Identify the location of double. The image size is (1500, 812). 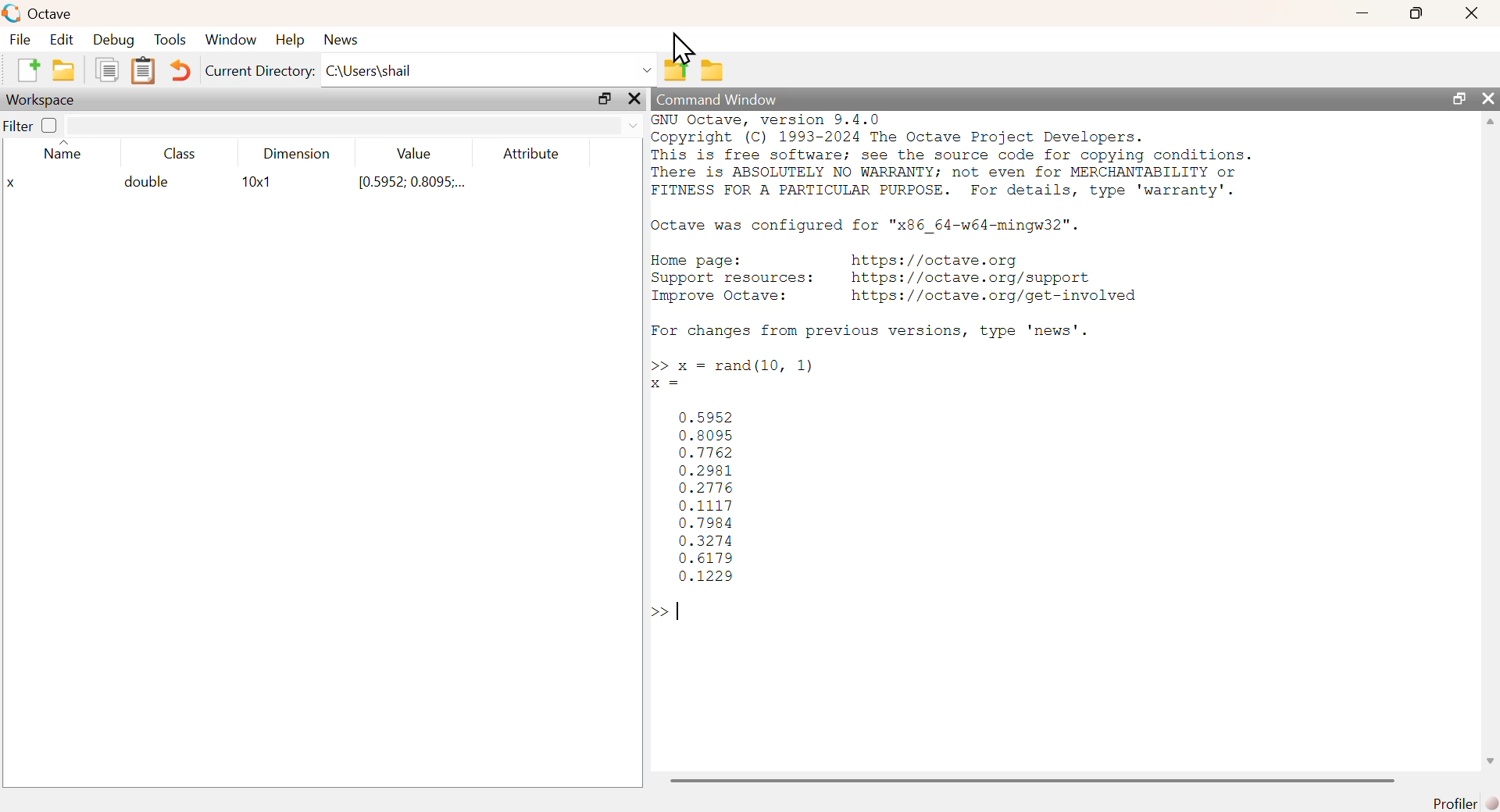
(144, 184).